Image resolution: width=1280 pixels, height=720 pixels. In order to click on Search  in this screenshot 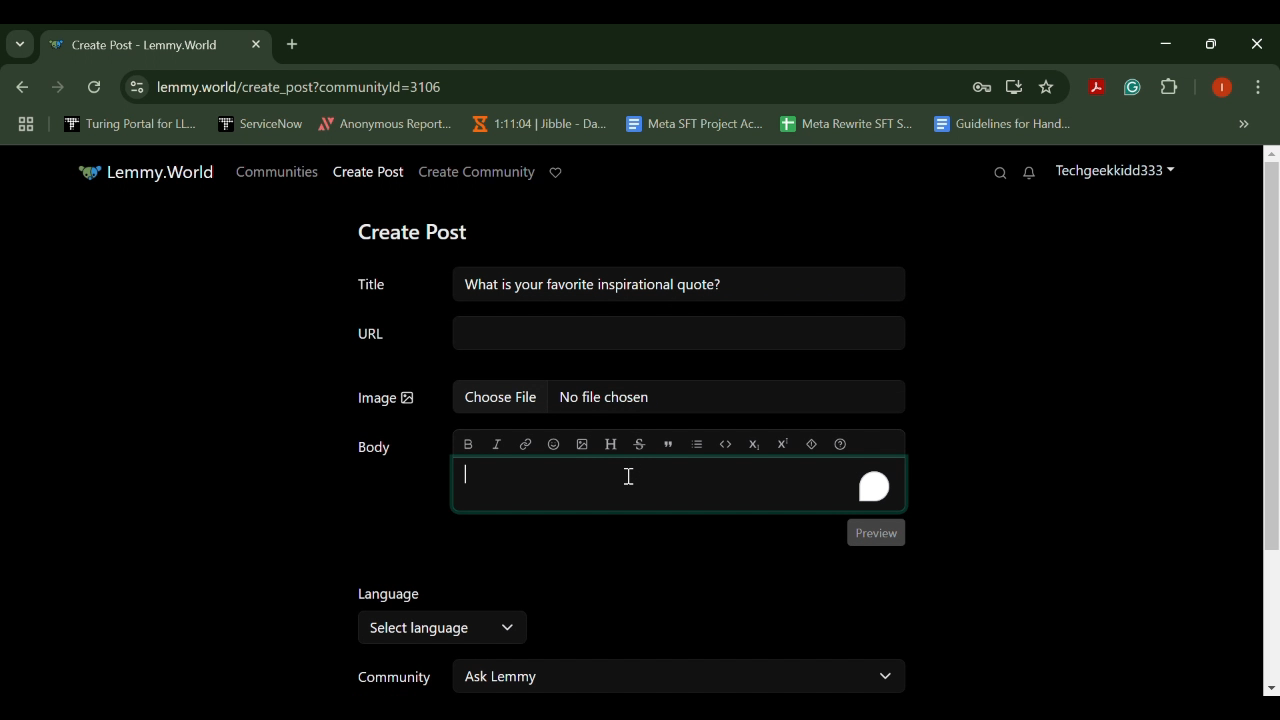, I will do `click(1000, 173)`.